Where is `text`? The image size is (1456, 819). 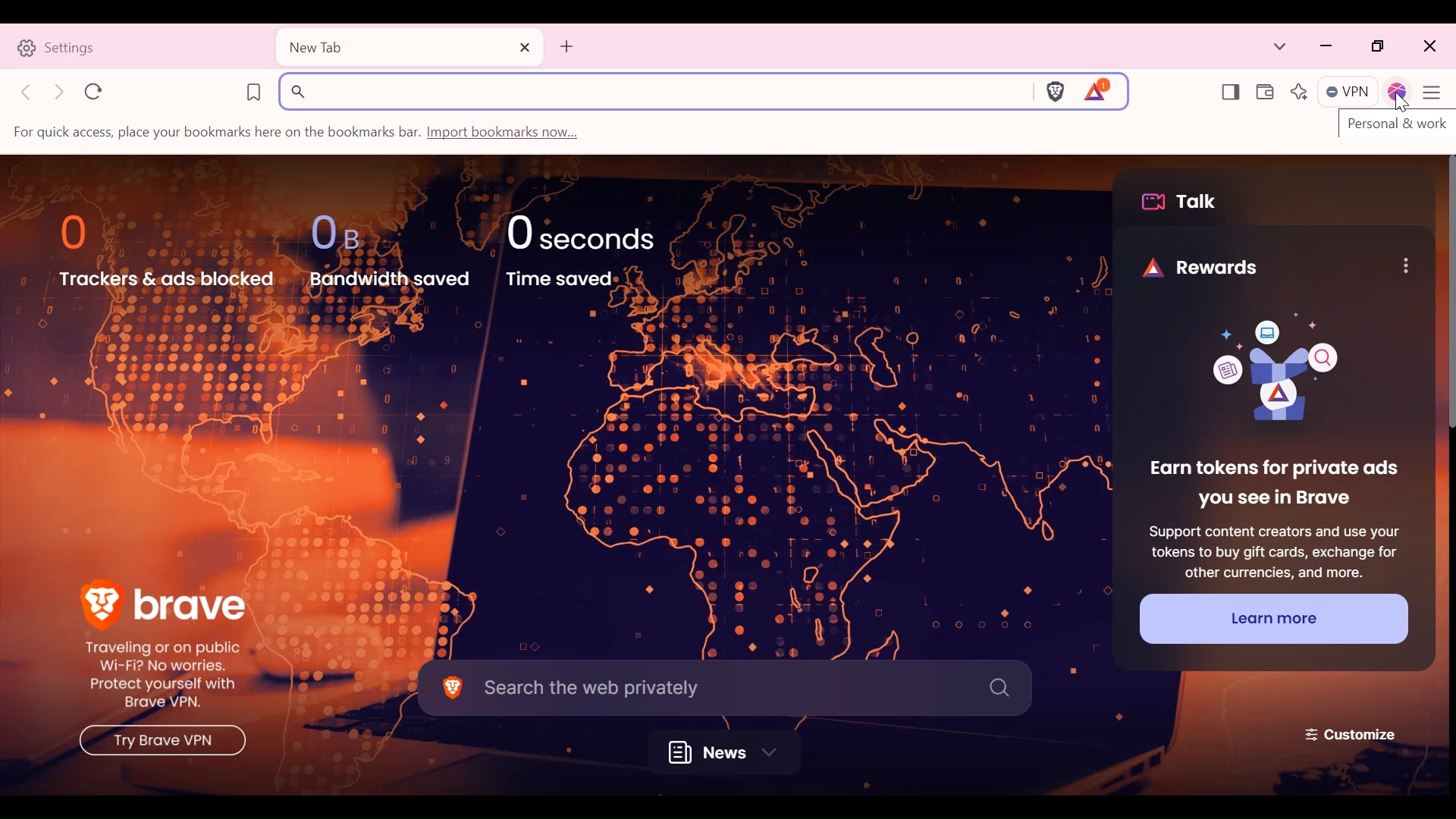
text is located at coordinates (1395, 127).